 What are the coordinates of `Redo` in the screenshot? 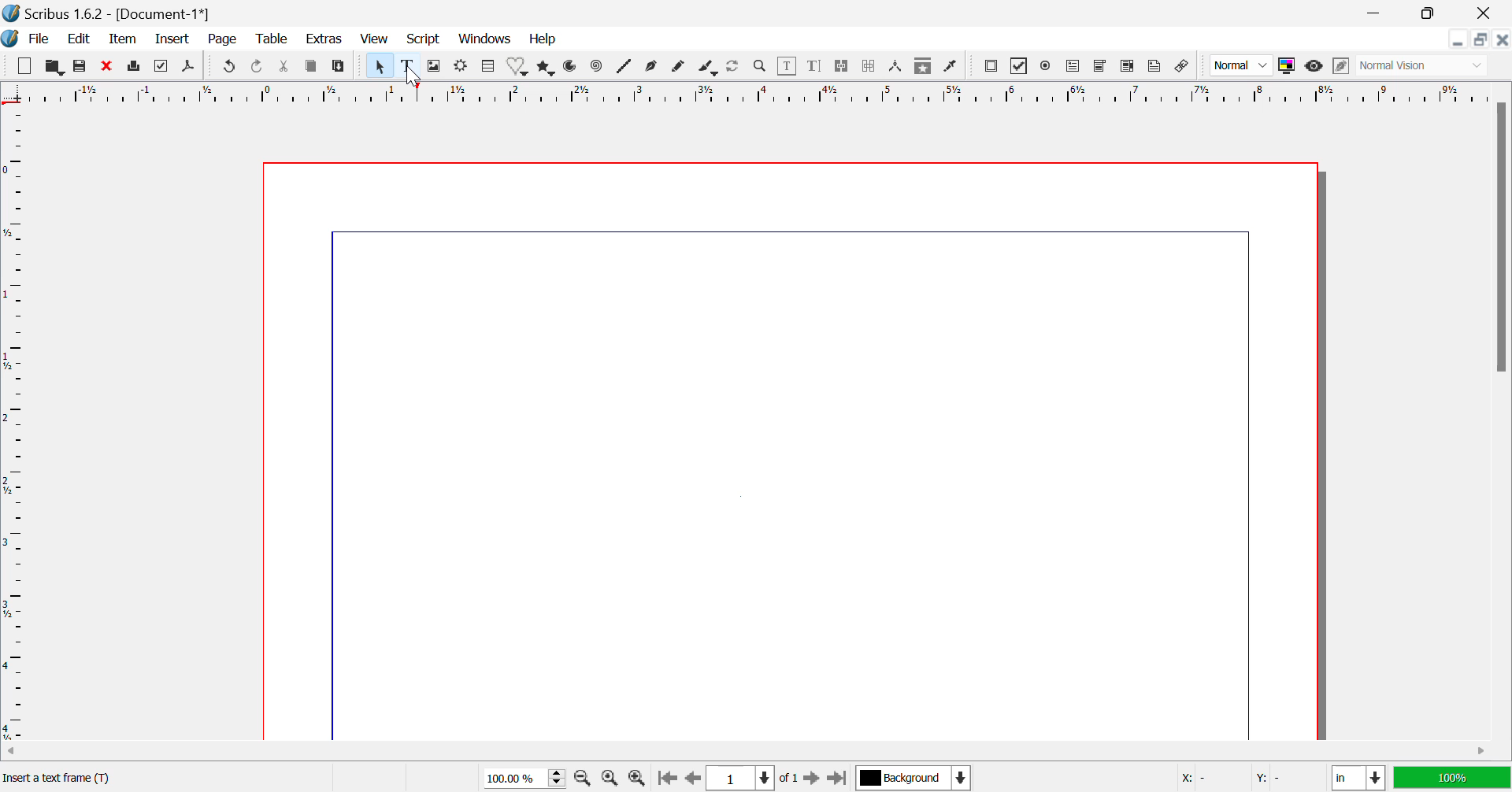 It's located at (257, 68).